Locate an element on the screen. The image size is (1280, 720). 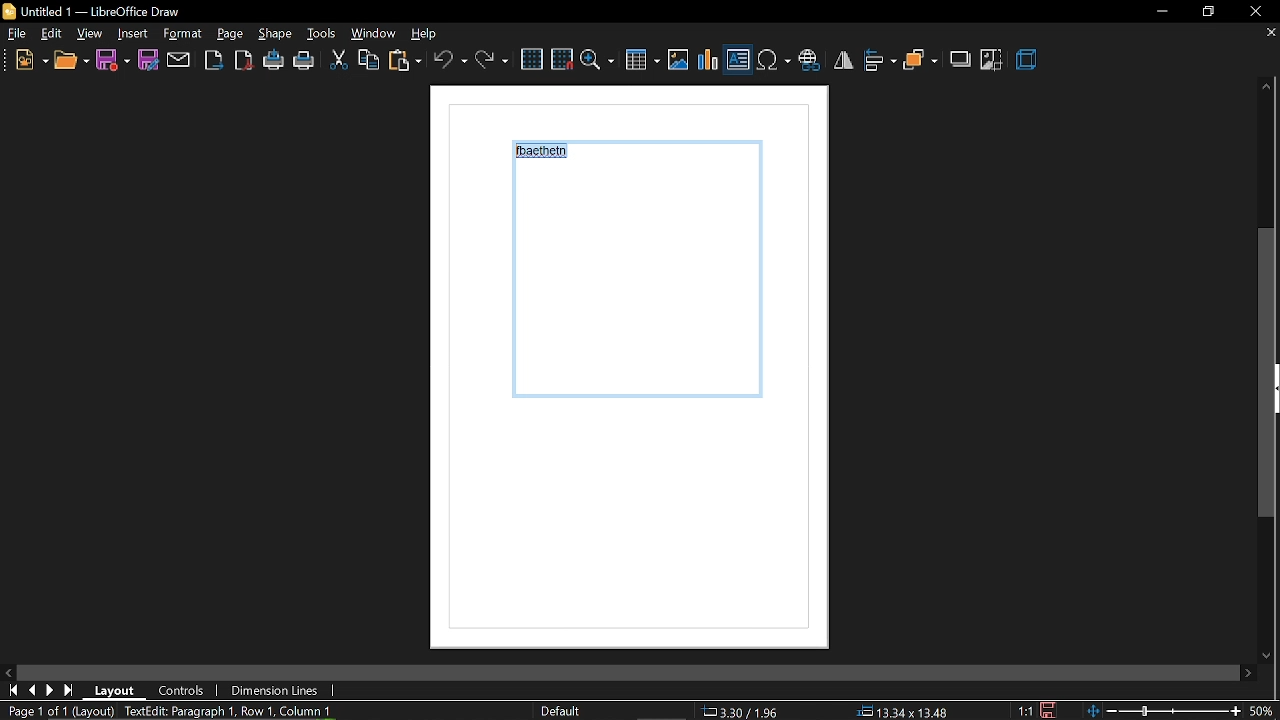
Minimize is located at coordinates (1161, 12).